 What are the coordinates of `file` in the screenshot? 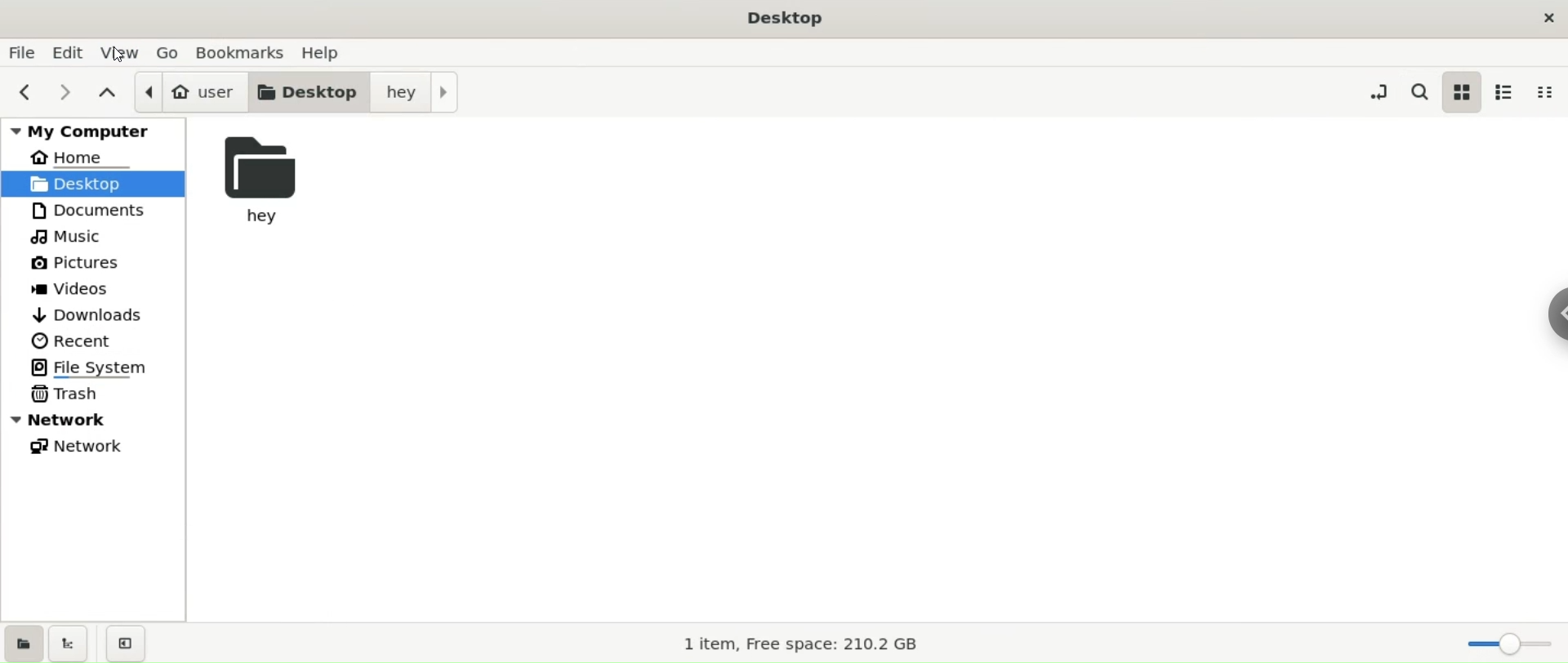 It's located at (22, 51).